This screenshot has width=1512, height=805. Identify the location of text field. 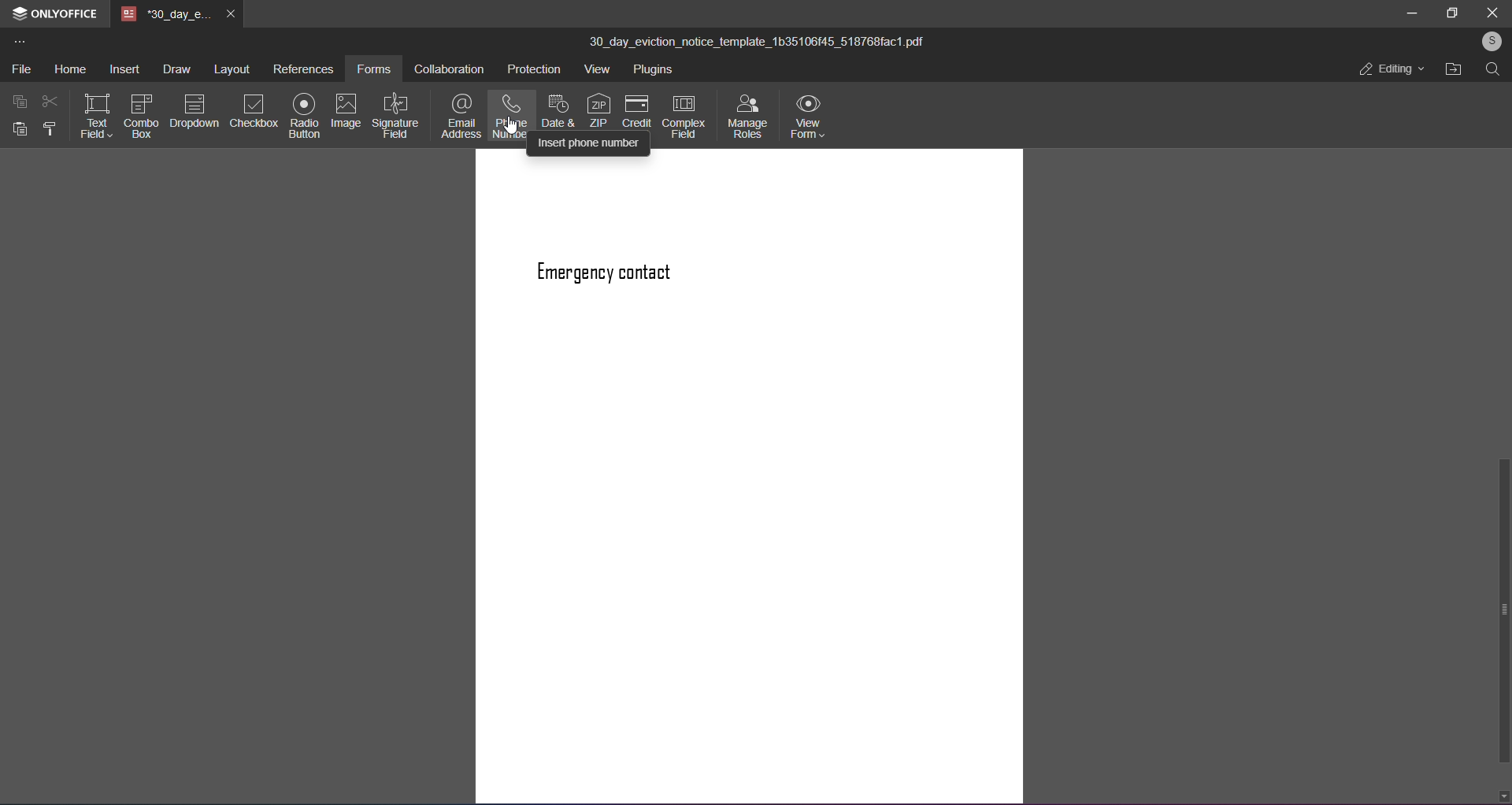
(95, 114).